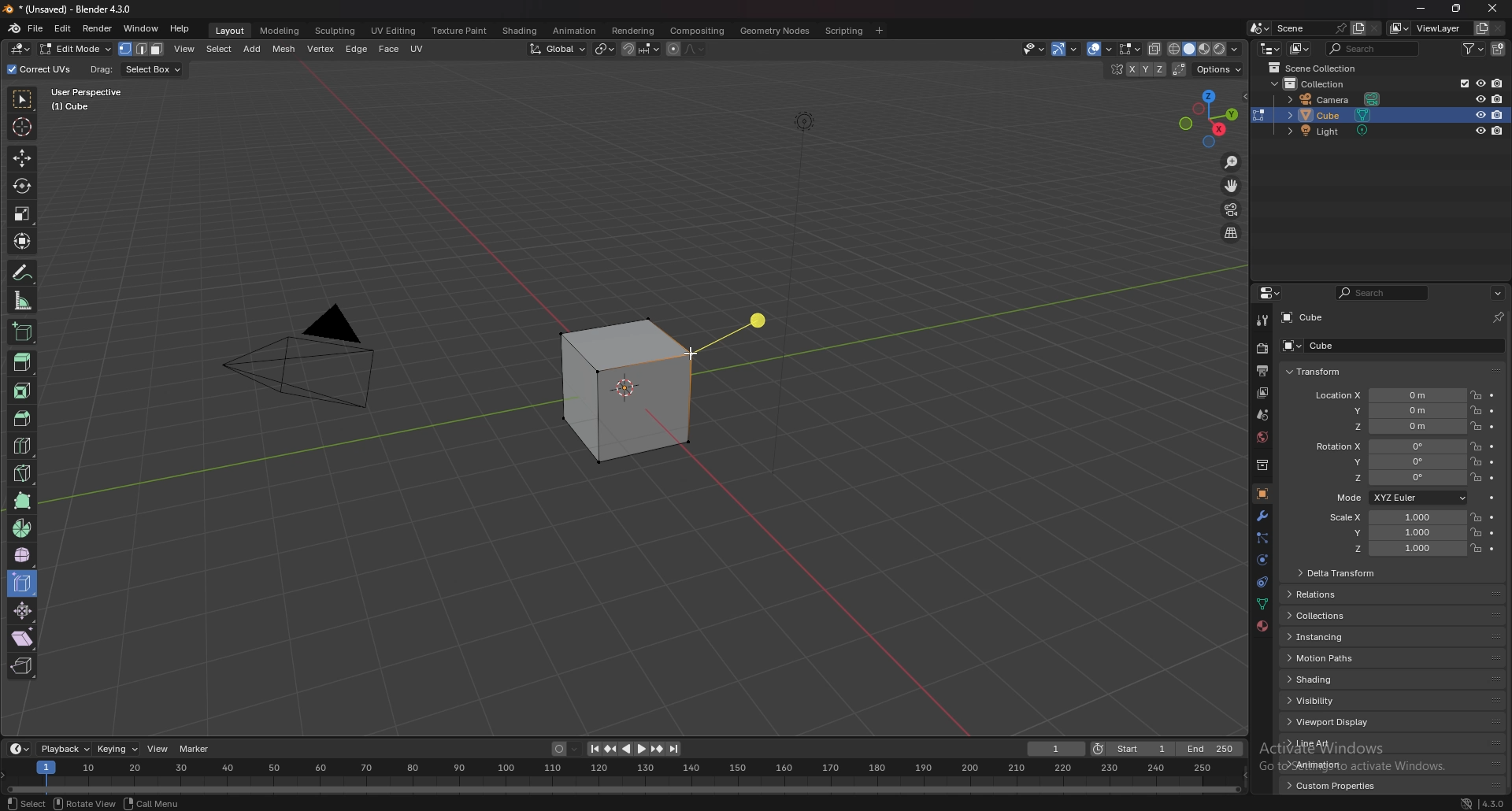 This screenshot has height=811, width=1512. I want to click on jump to endpoint, so click(675, 750).